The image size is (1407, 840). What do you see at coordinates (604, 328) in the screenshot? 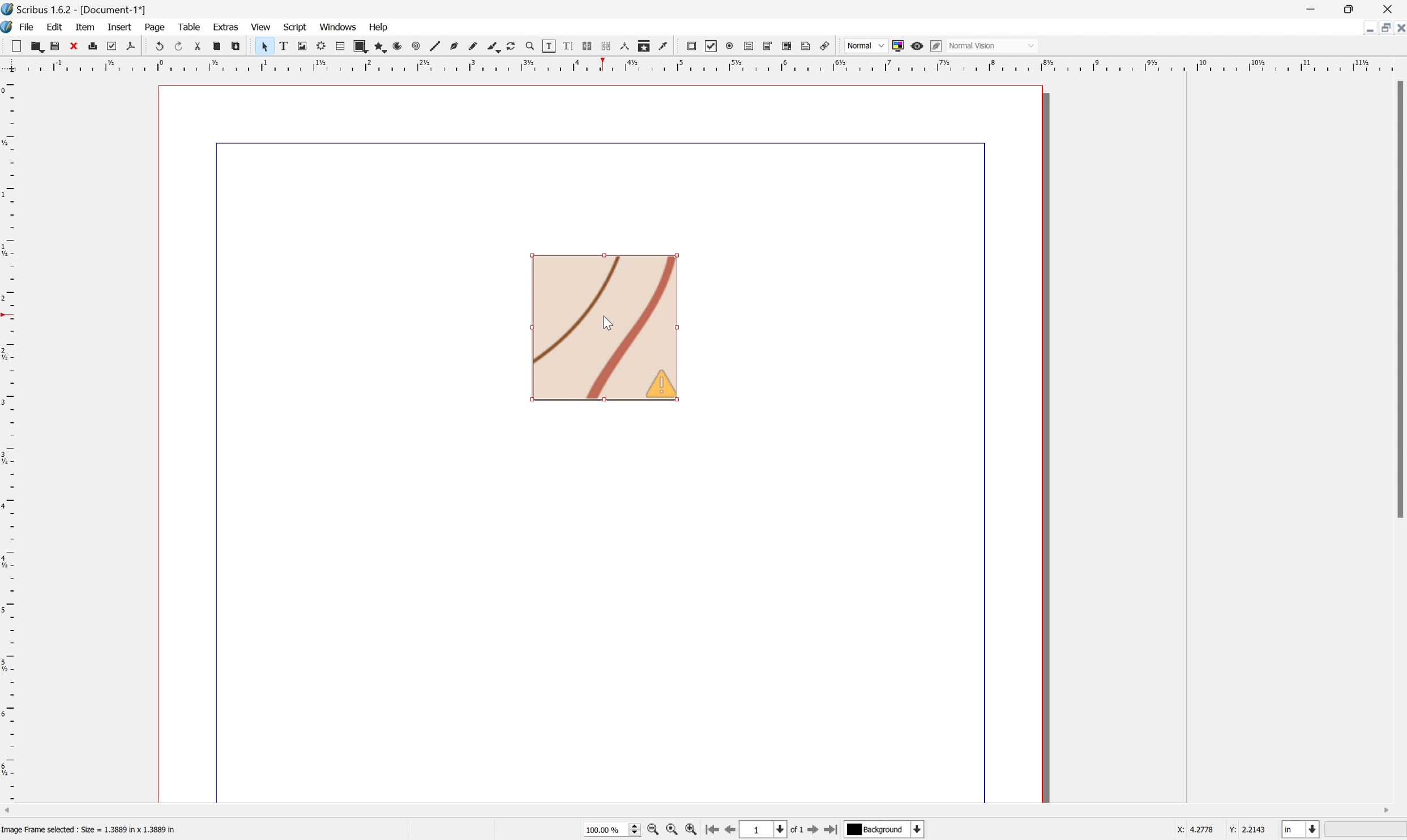
I see `image` at bounding box center [604, 328].